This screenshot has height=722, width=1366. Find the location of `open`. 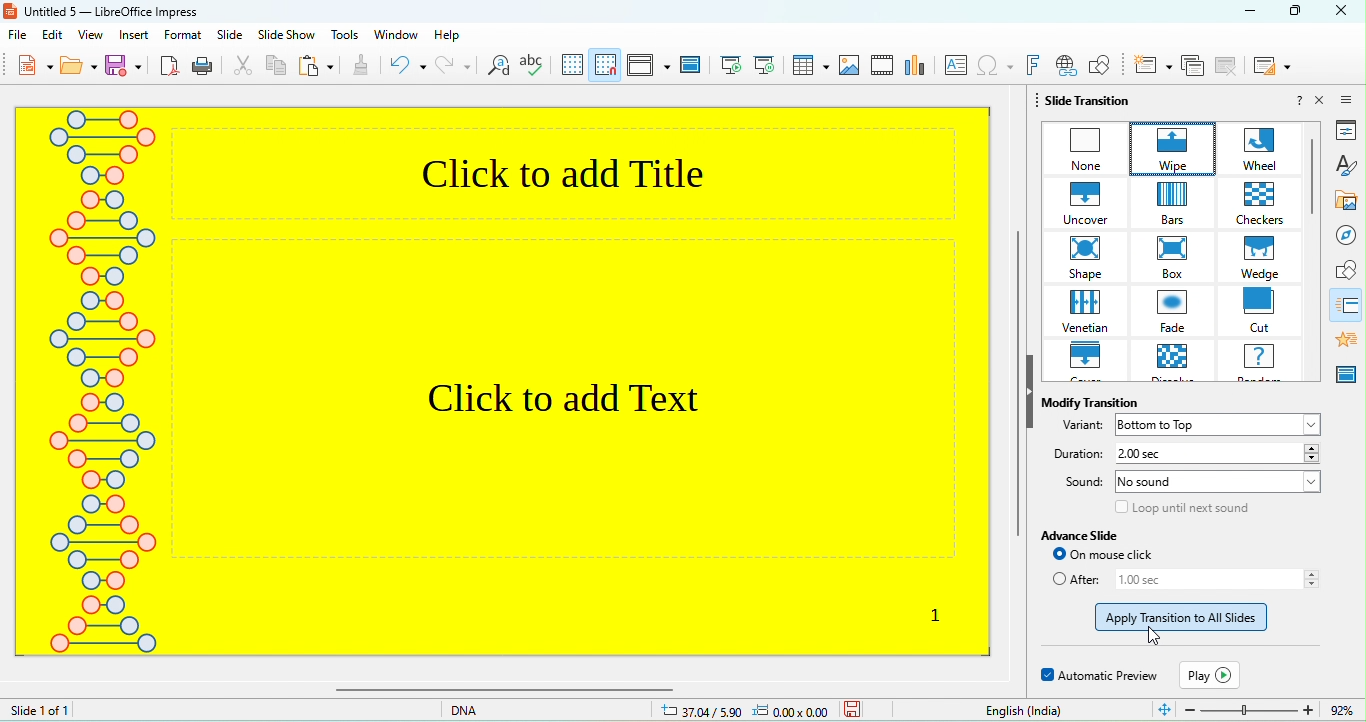

open is located at coordinates (82, 67).